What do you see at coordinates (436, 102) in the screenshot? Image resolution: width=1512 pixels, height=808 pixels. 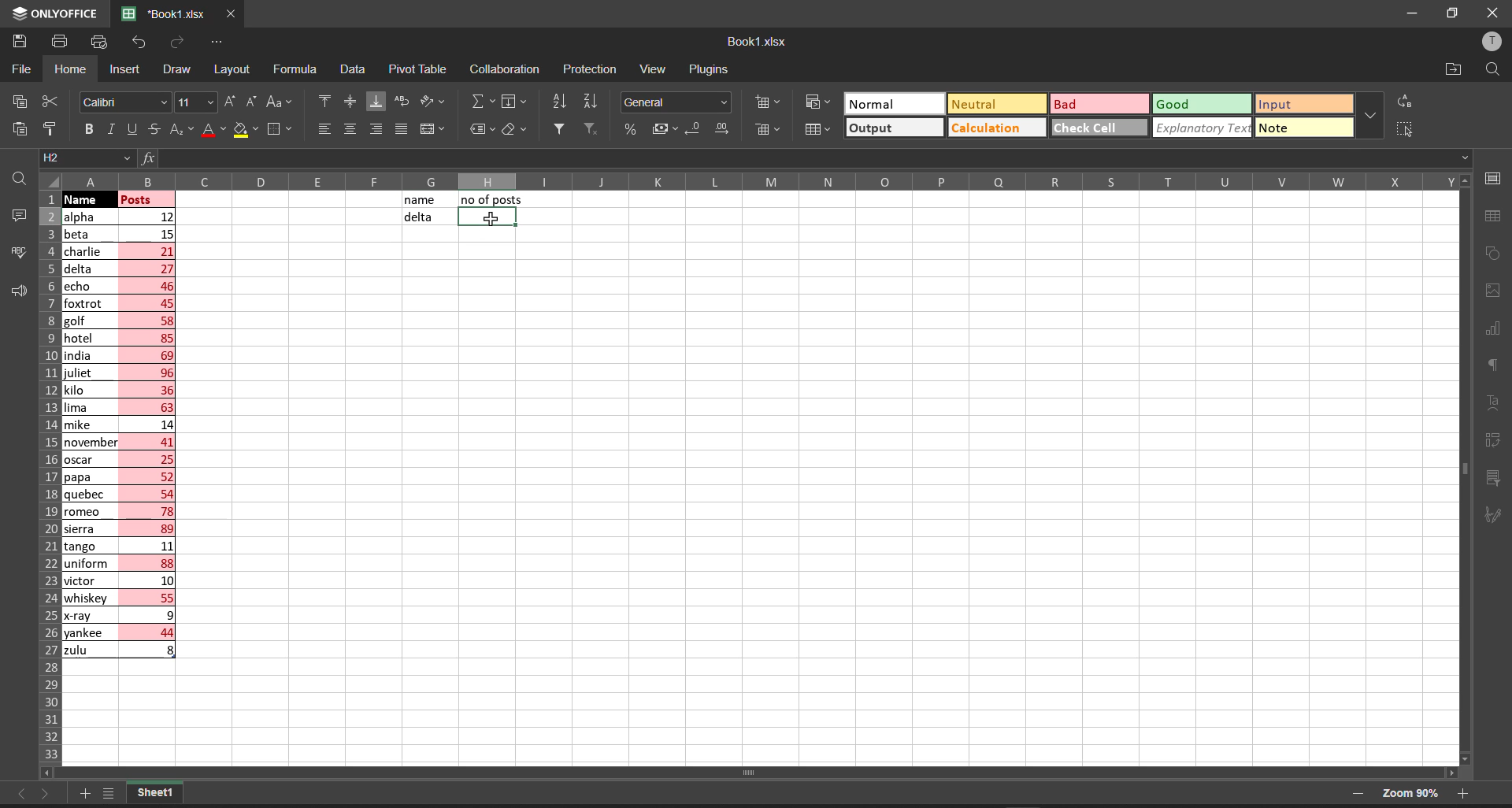 I see `orientation` at bounding box center [436, 102].